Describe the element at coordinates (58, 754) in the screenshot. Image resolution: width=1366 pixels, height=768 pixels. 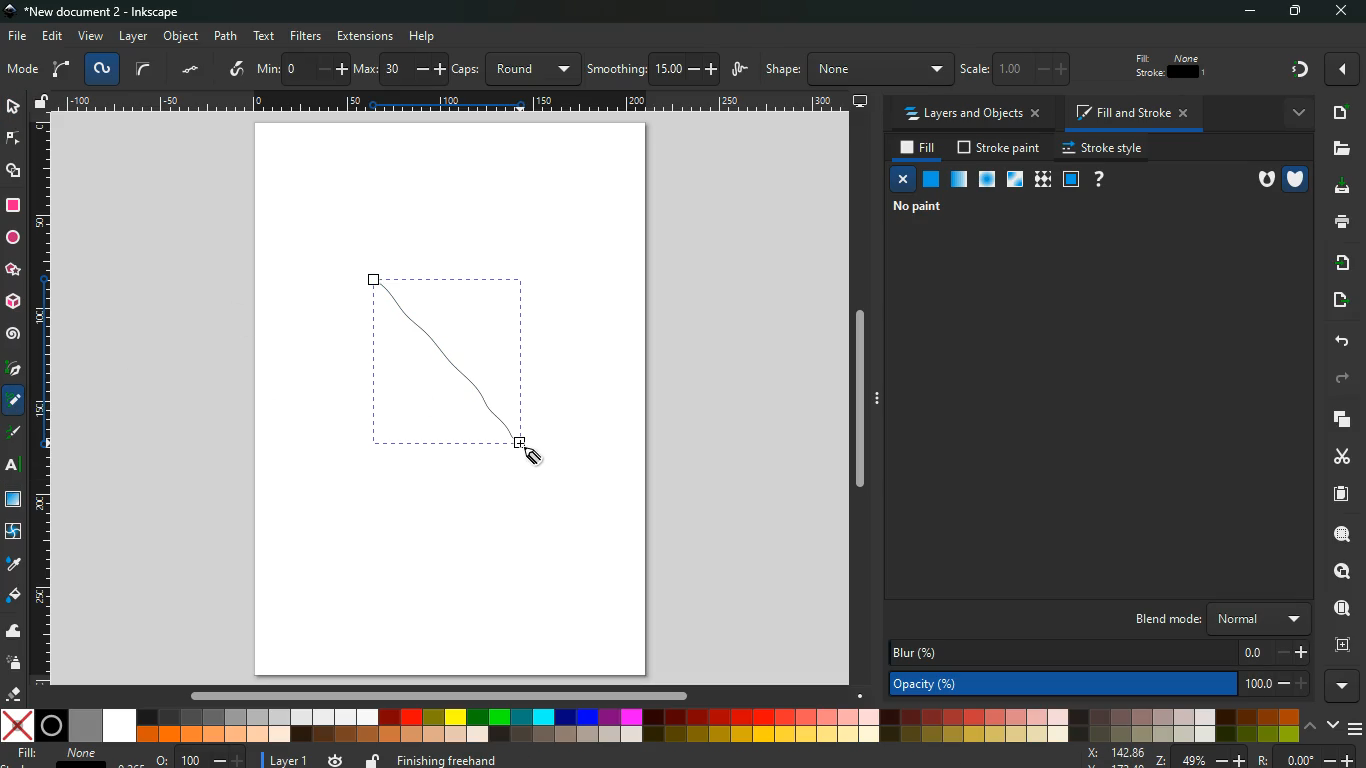
I see `fill` at that location.